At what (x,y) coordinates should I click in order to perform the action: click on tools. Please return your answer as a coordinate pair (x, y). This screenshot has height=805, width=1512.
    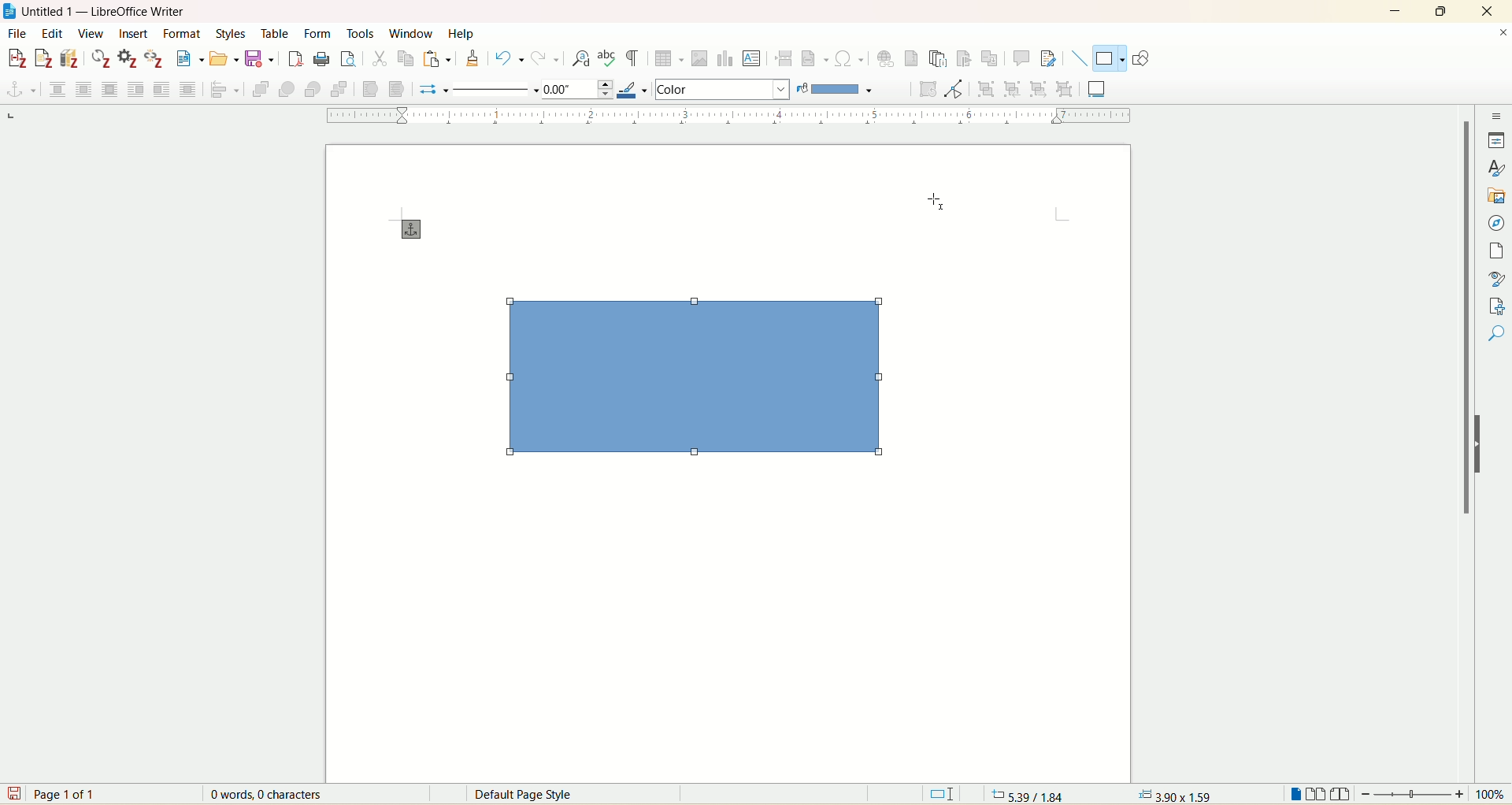
    Looking at the image, I should click on (362, 32).